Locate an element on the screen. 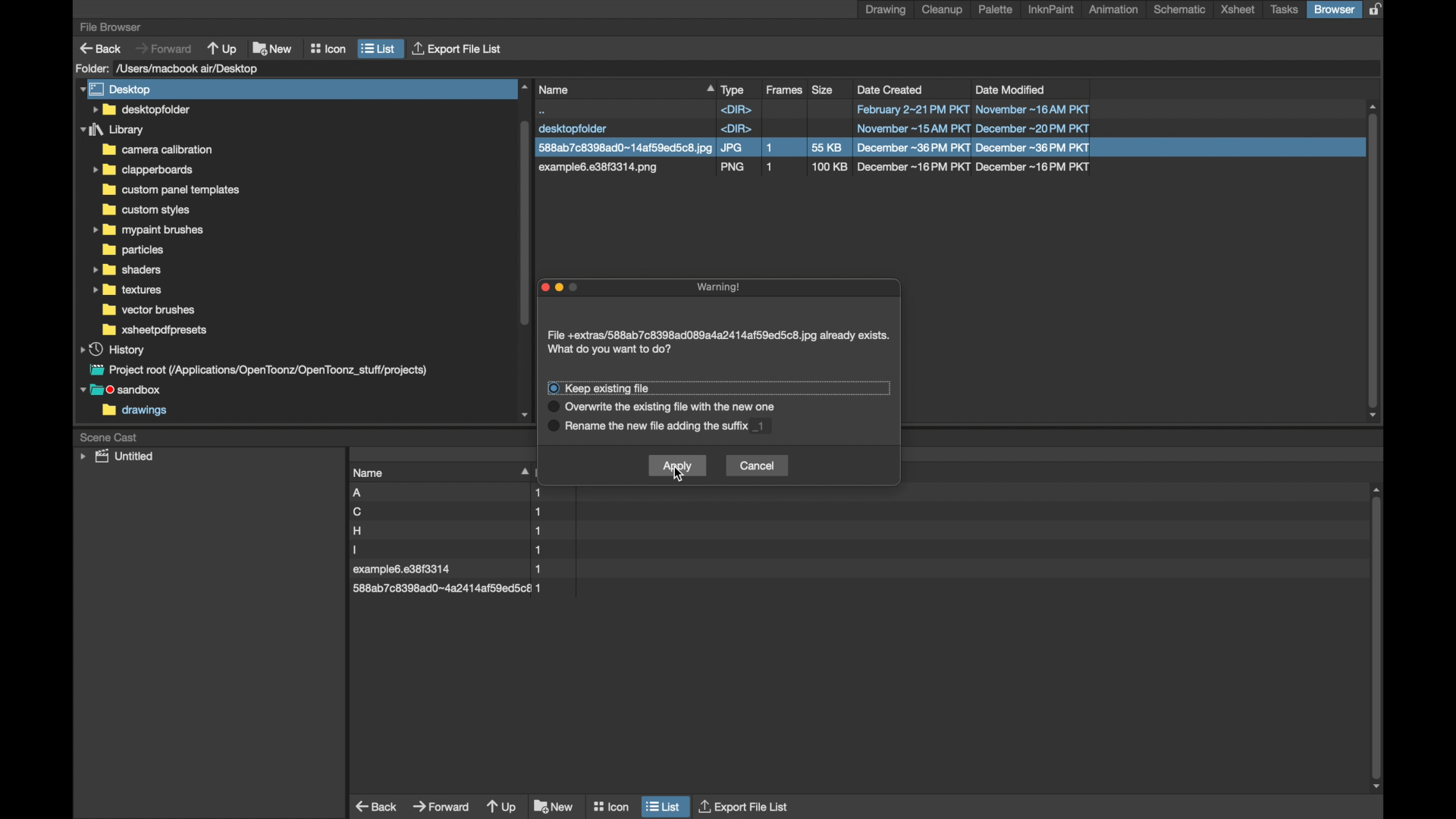 This screenshot has height=819, width=1456. folder location is located at coordinates (190, 68).